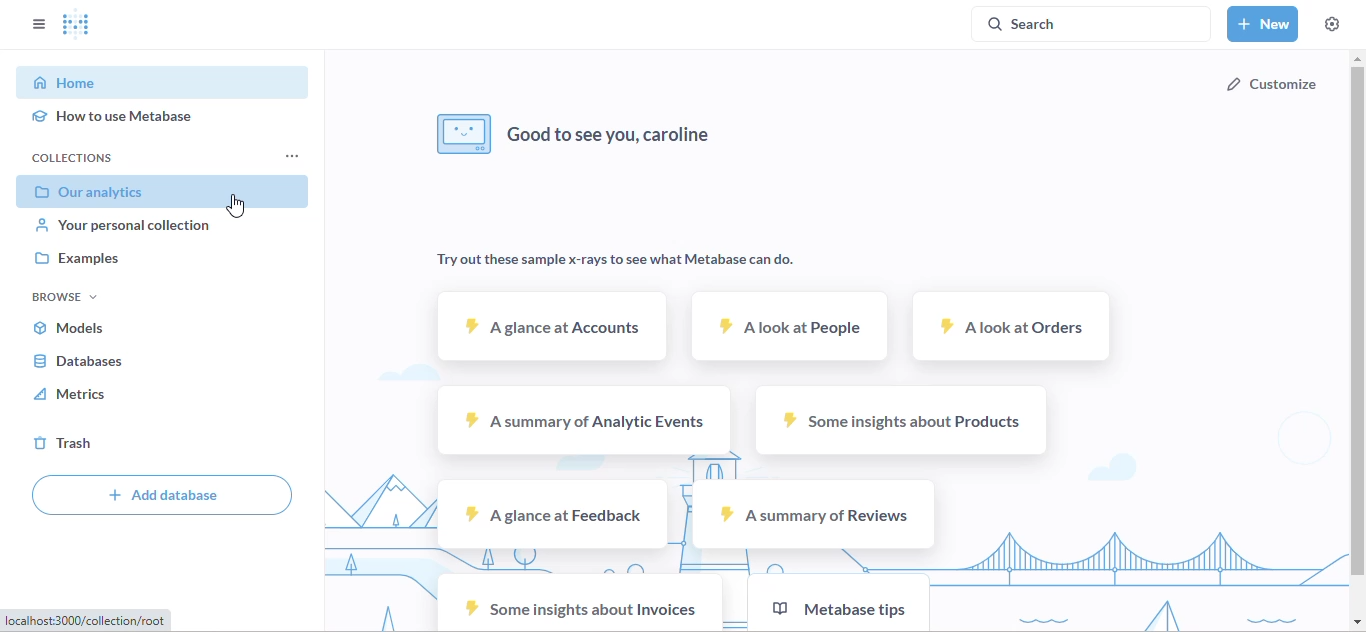  What do you see at coordinates (292, 157) in the screenshot?
I see `collections settings` at bounding box center [292, 157].